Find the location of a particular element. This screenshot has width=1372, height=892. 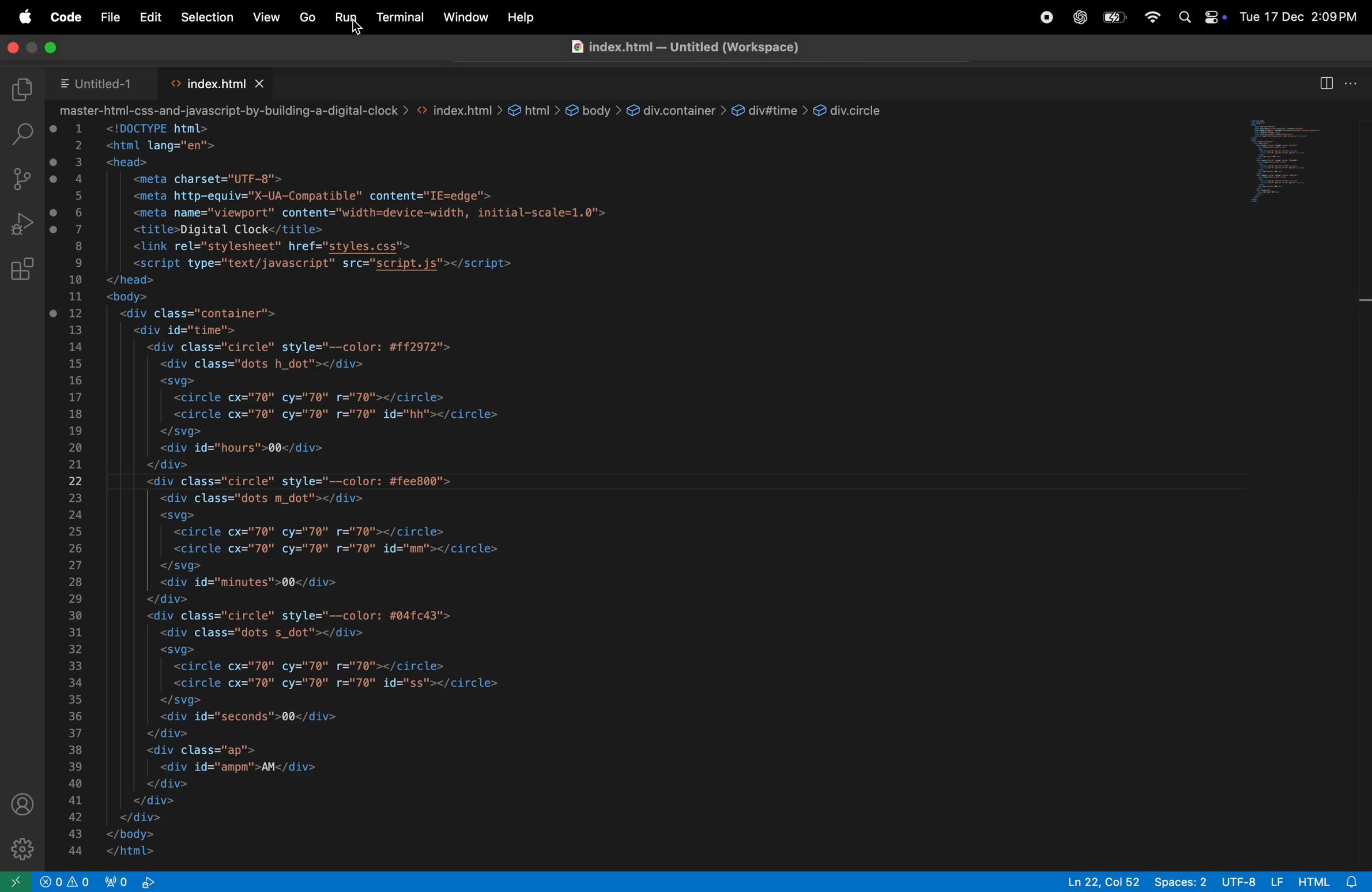

Cursor is located at coordinates (360, 29).